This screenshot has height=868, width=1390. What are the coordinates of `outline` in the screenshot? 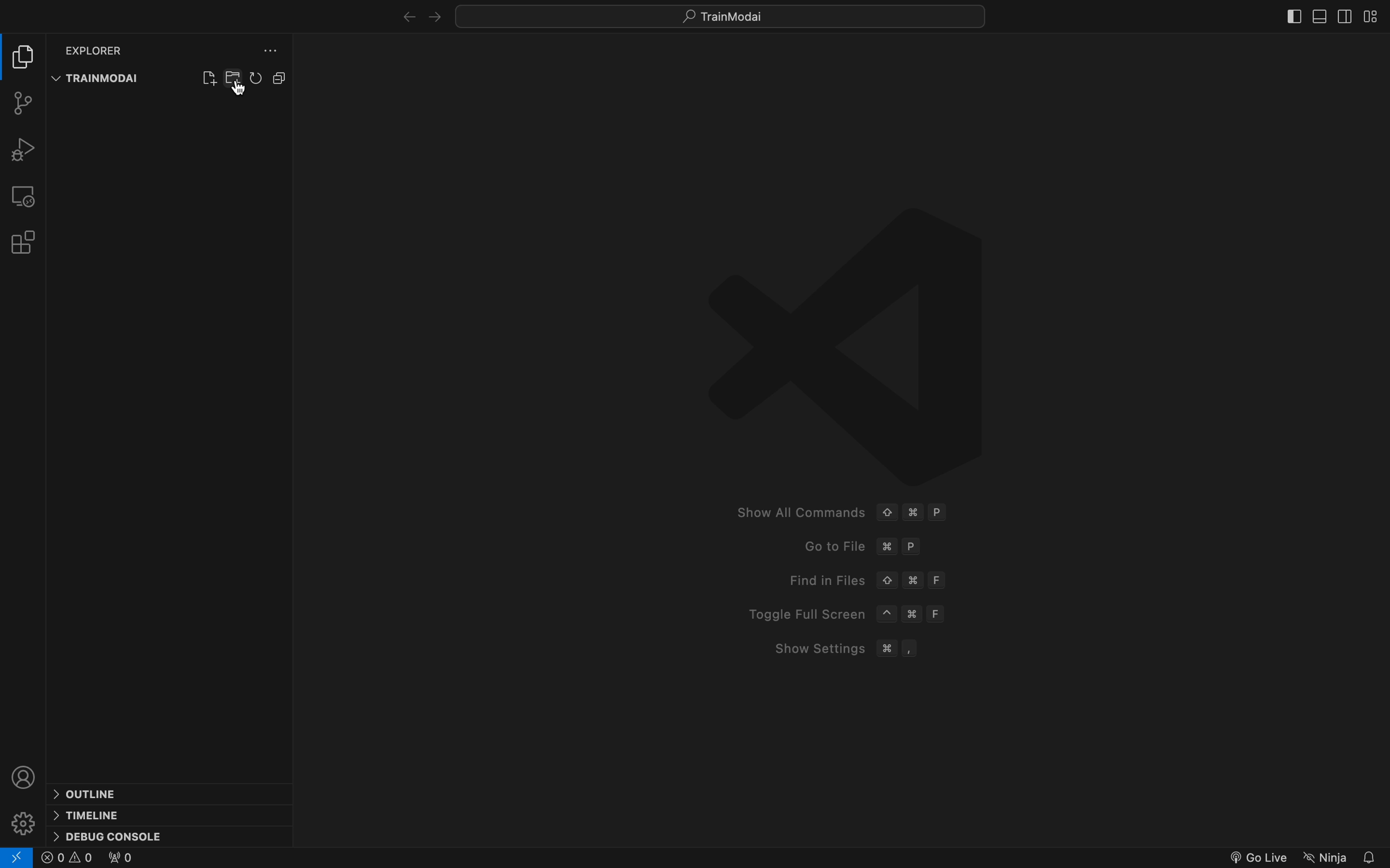 It's located at (100, 794).